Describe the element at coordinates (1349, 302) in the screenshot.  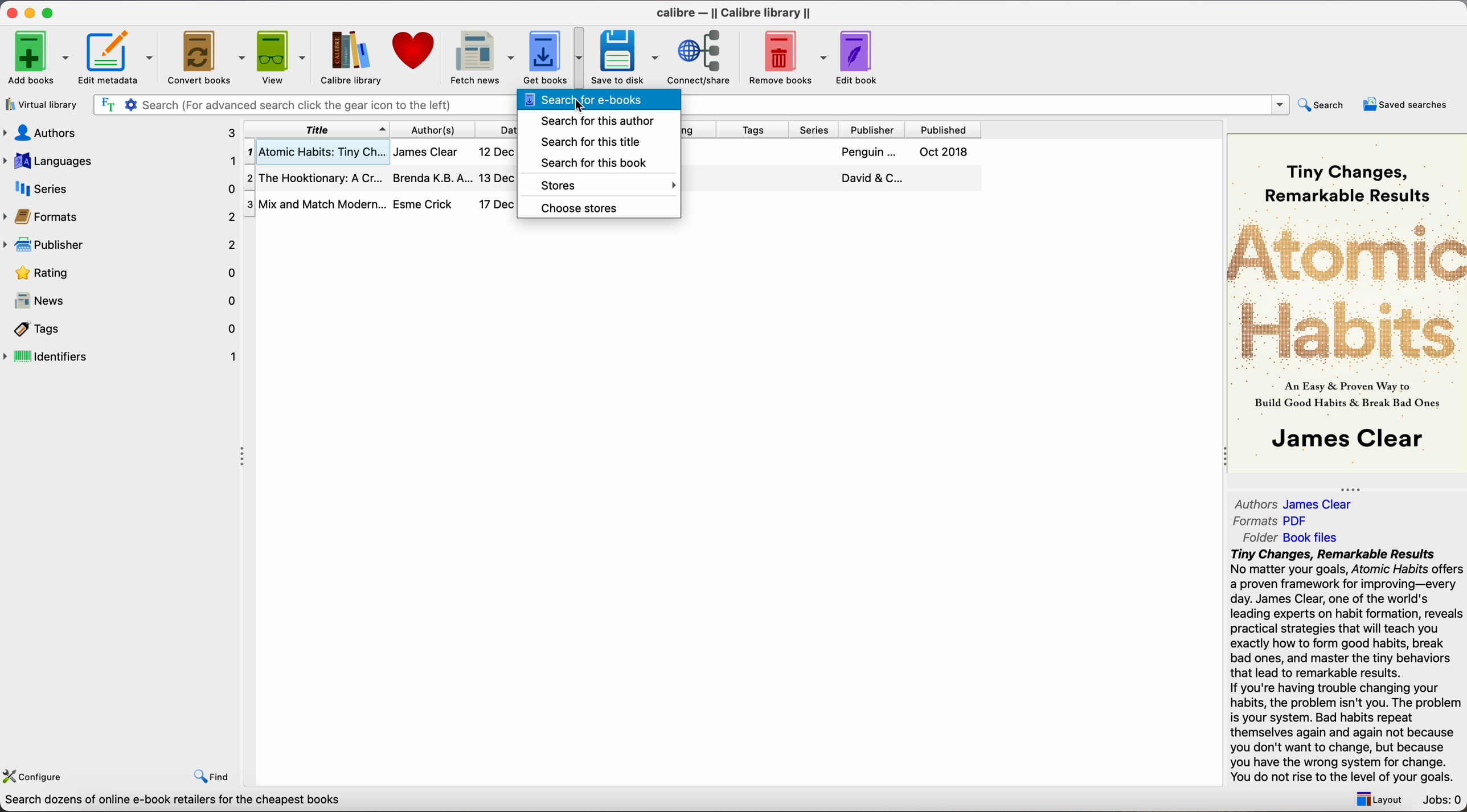
I see `book cover preview` at that location.